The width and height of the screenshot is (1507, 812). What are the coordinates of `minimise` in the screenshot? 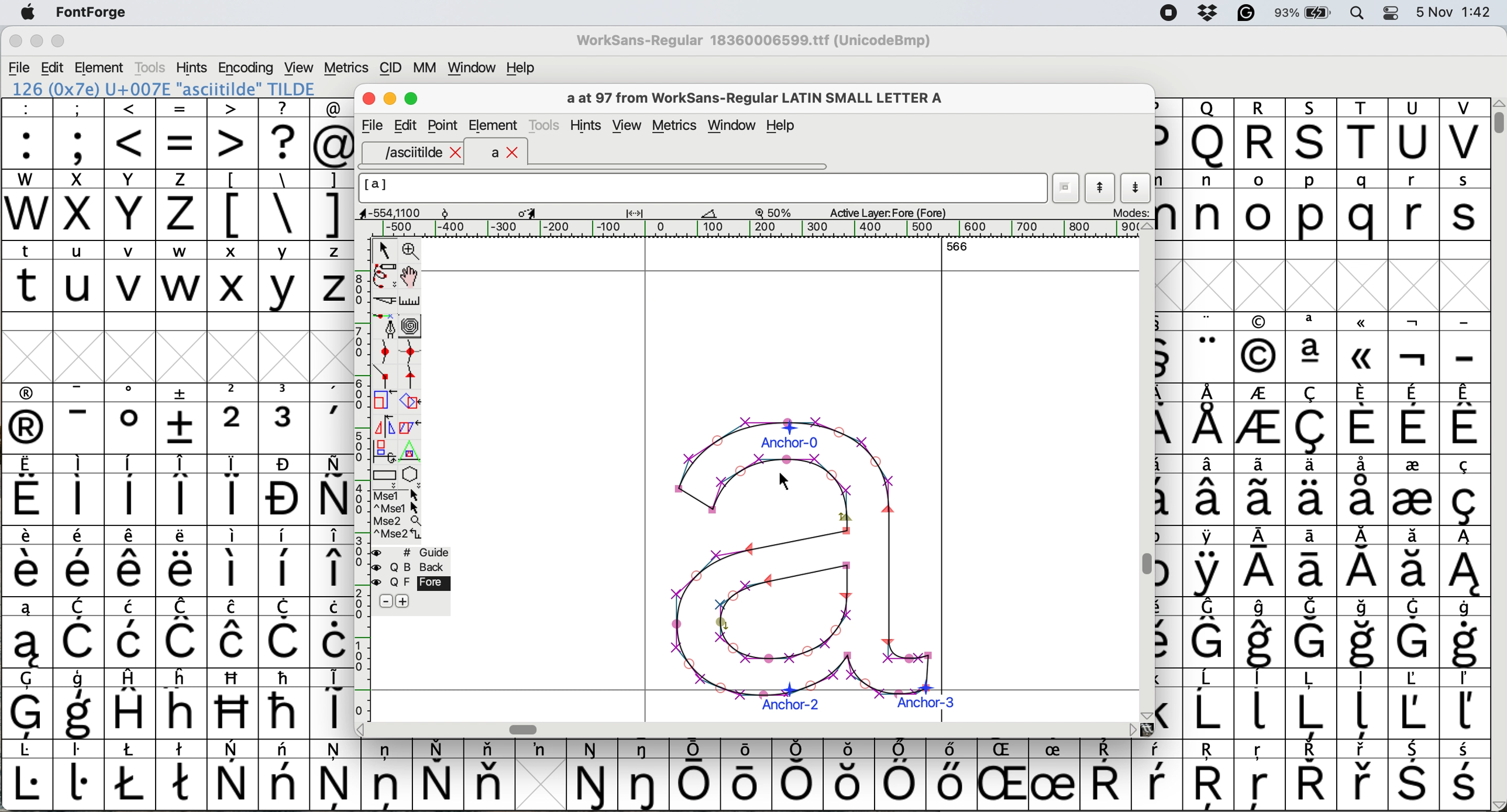 It's located at (35, 42).